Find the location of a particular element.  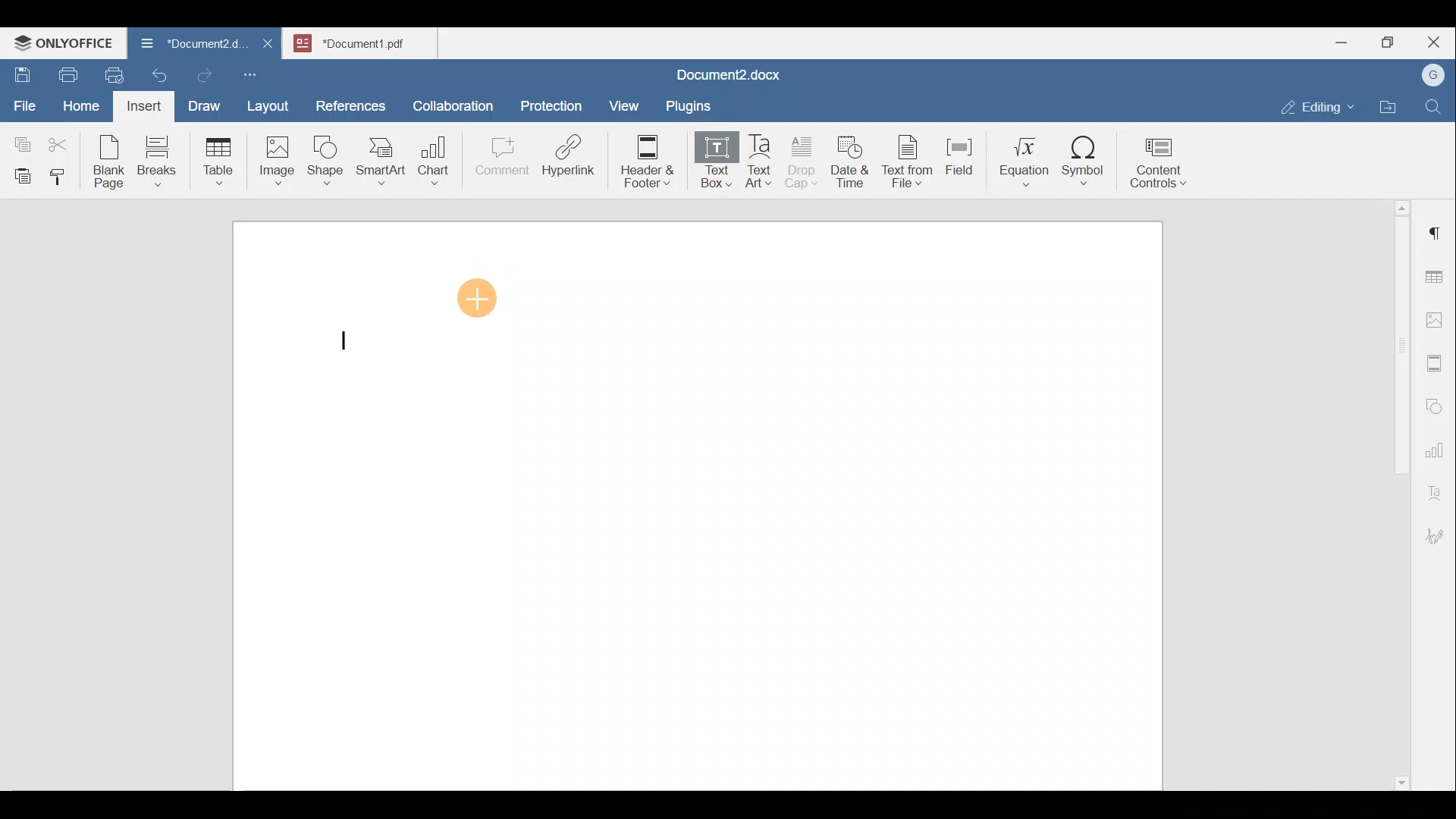

Scroll bar is located at coordinates (1396, 492).